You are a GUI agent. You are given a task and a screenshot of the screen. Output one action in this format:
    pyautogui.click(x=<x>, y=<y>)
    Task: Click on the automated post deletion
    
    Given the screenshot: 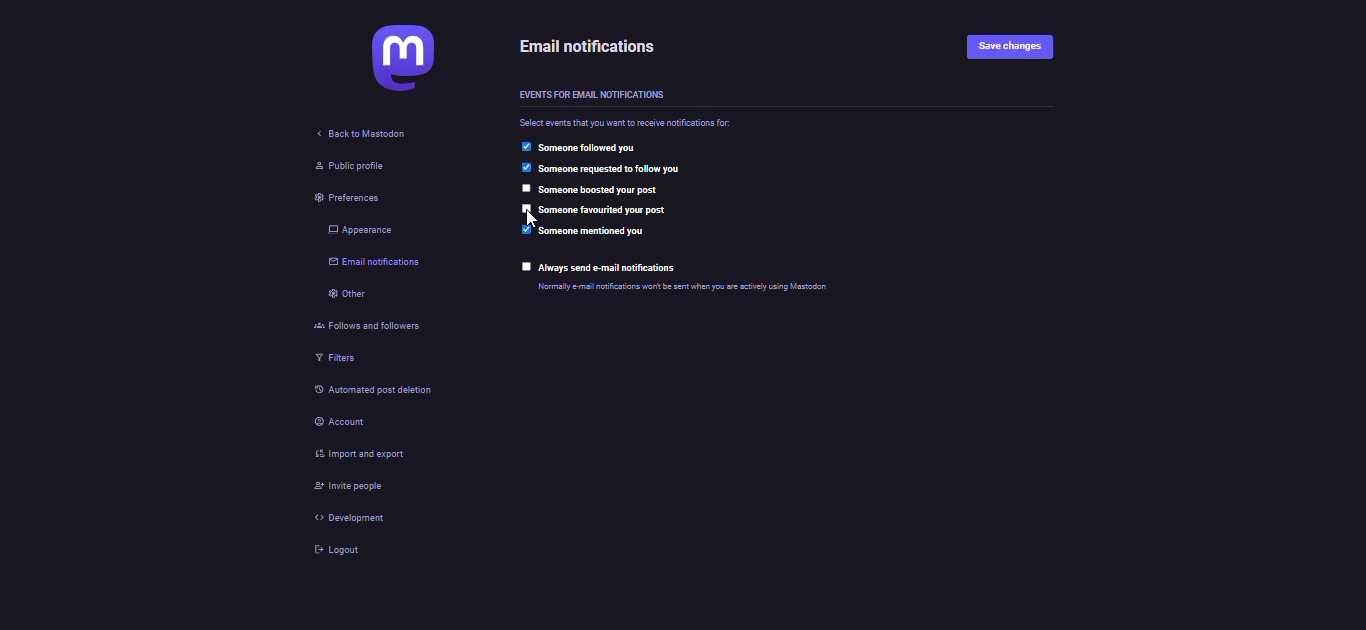 What is the action you would take?
    pyautogui.click(x=393, y=389)
    